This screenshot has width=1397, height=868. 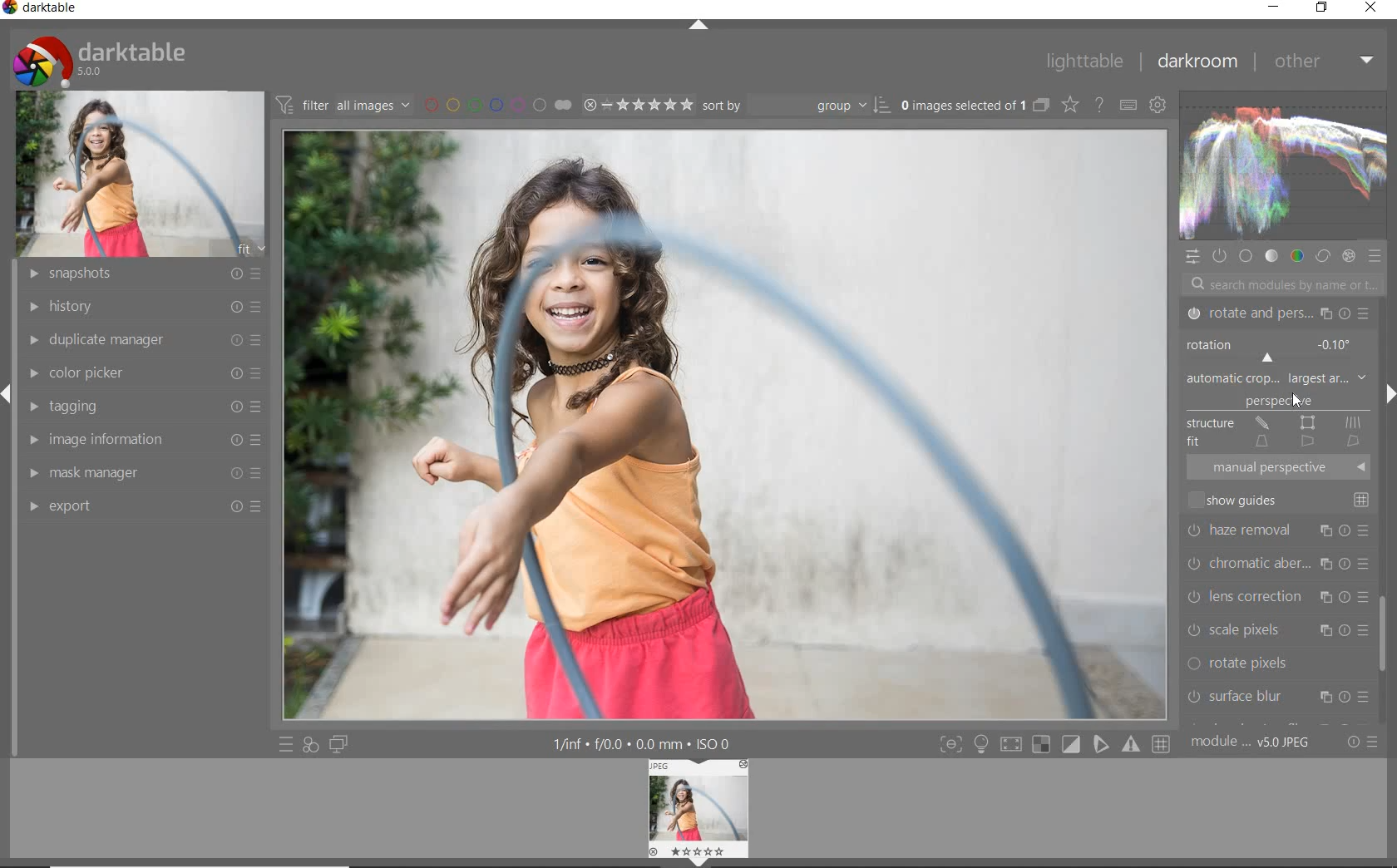 I want to click on scrollbar, so click(x=1385, y=625).